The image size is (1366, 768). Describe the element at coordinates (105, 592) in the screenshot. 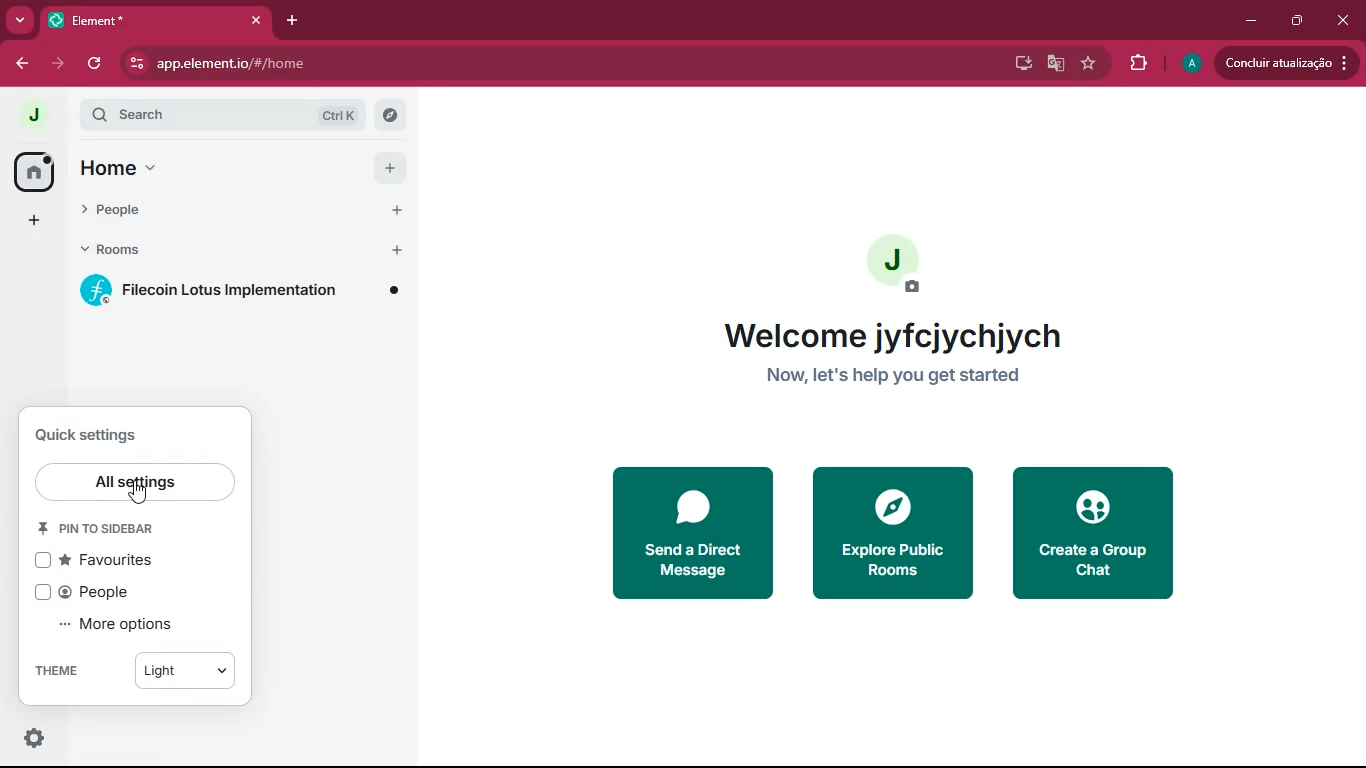

I see `people` at that location.